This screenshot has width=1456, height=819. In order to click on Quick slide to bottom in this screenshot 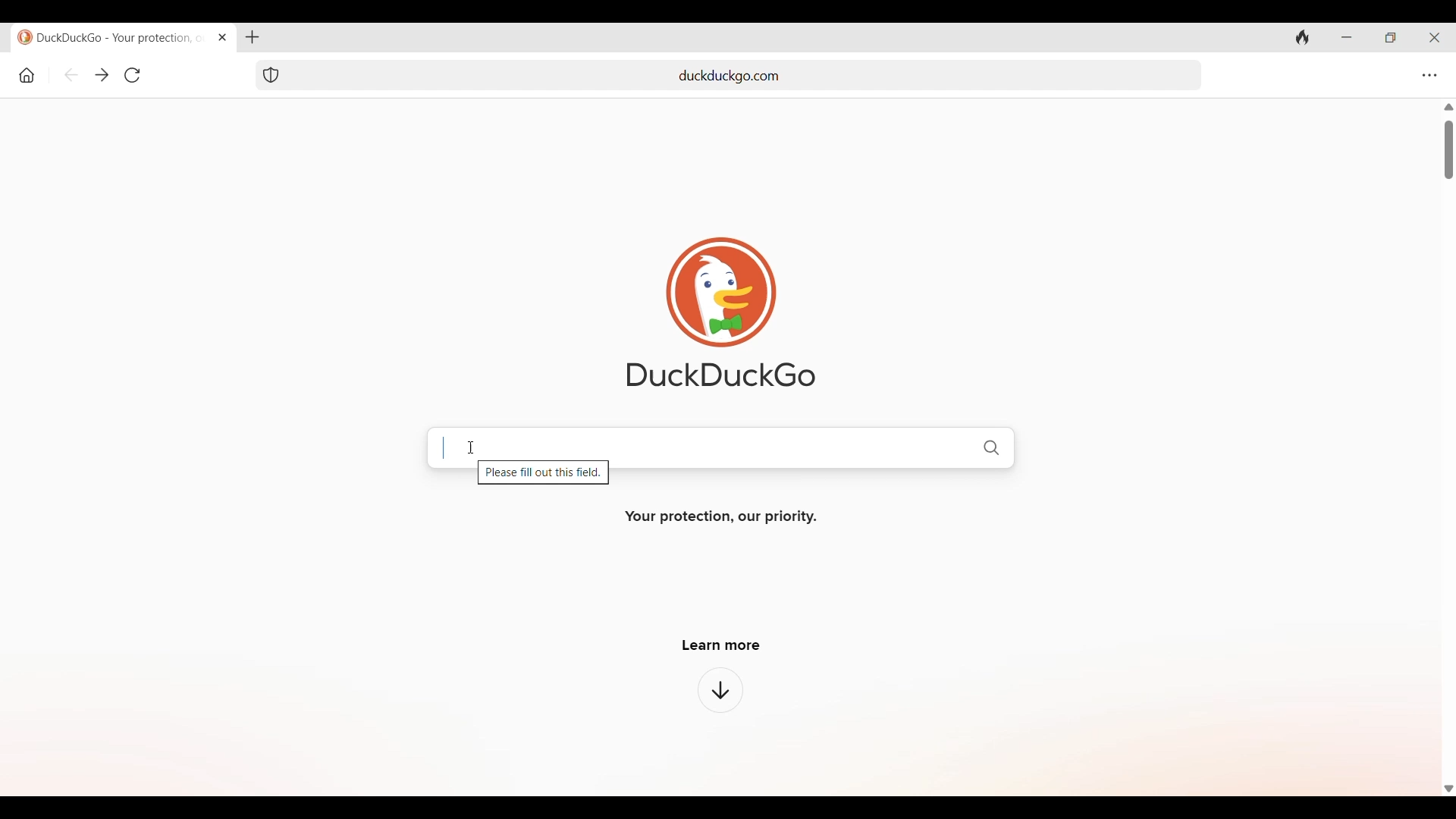, I will do `click(1448, 789)`.